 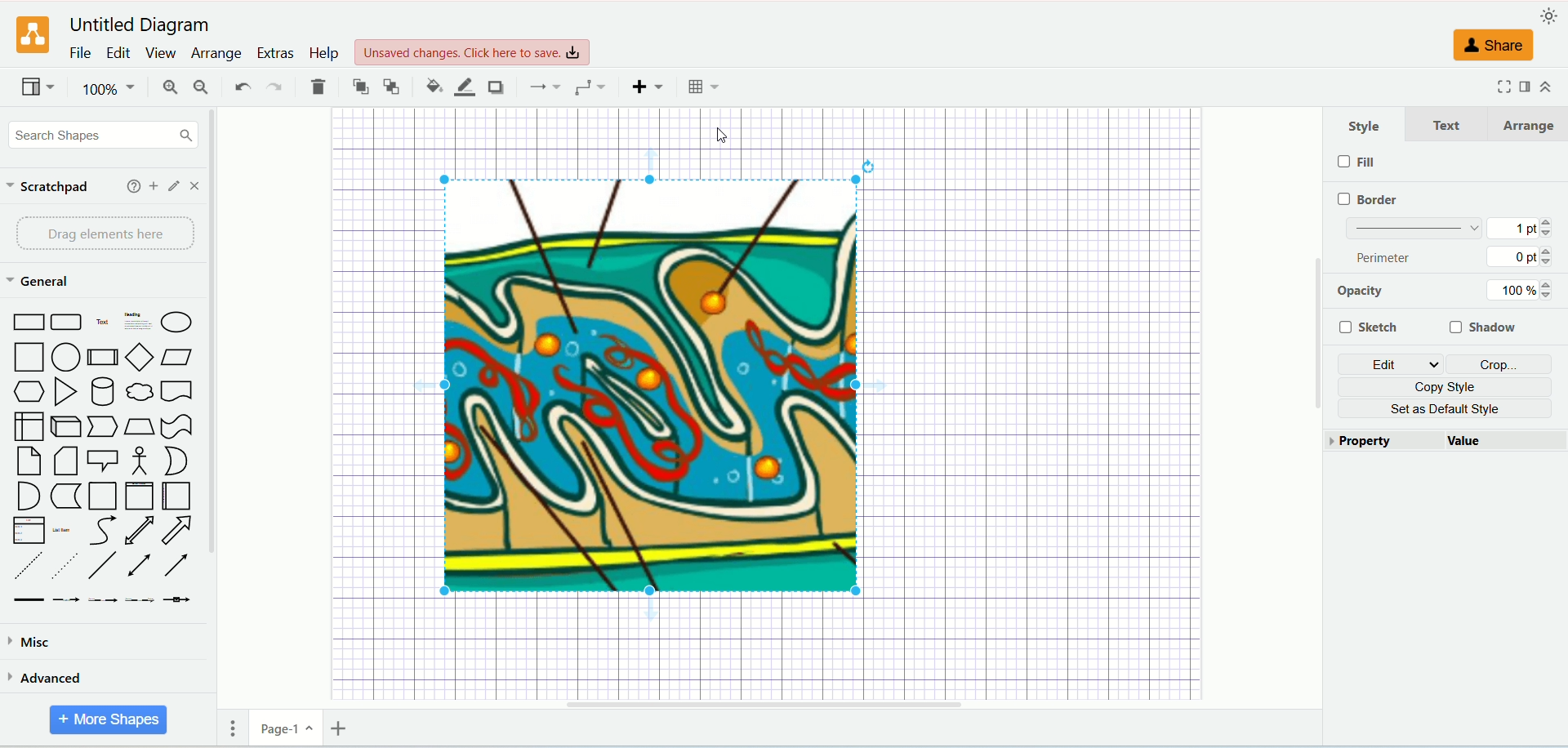 What do you see at coordinates (30, 393) in the screenshot?
I see `Hexagon` at bounding box center [30, 393].